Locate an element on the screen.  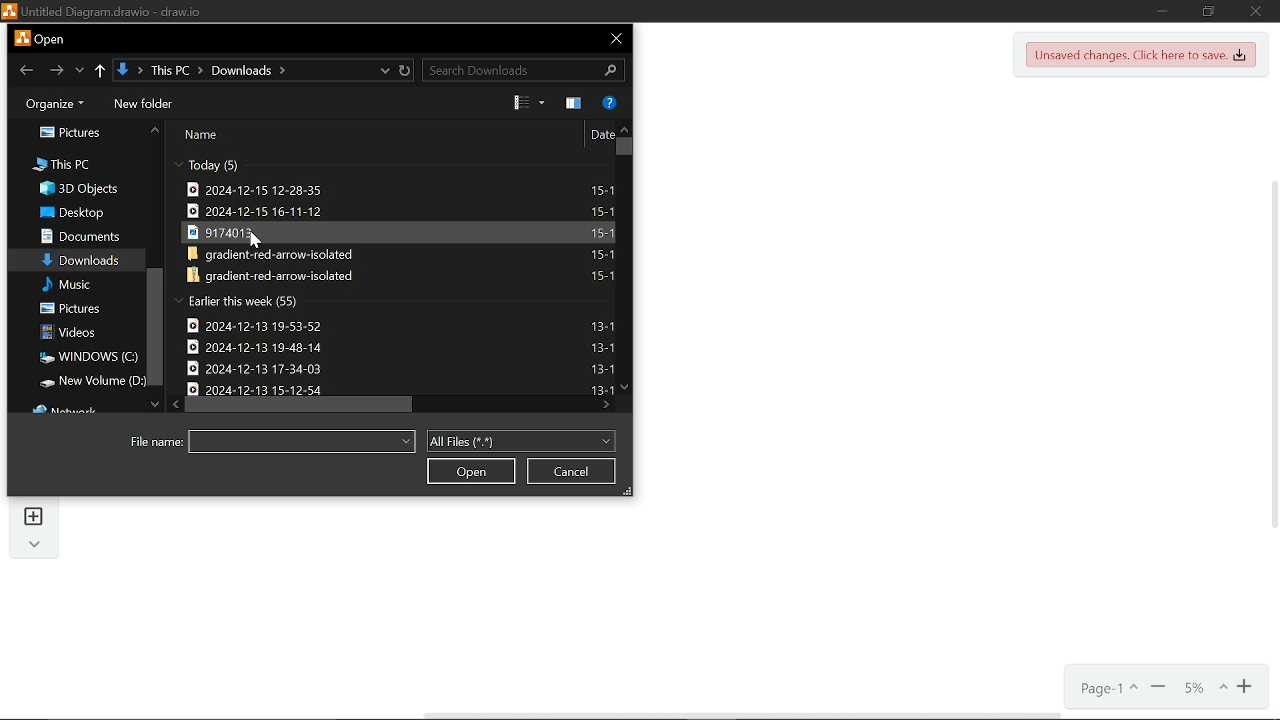
logo is located at coordinates (23, 39).